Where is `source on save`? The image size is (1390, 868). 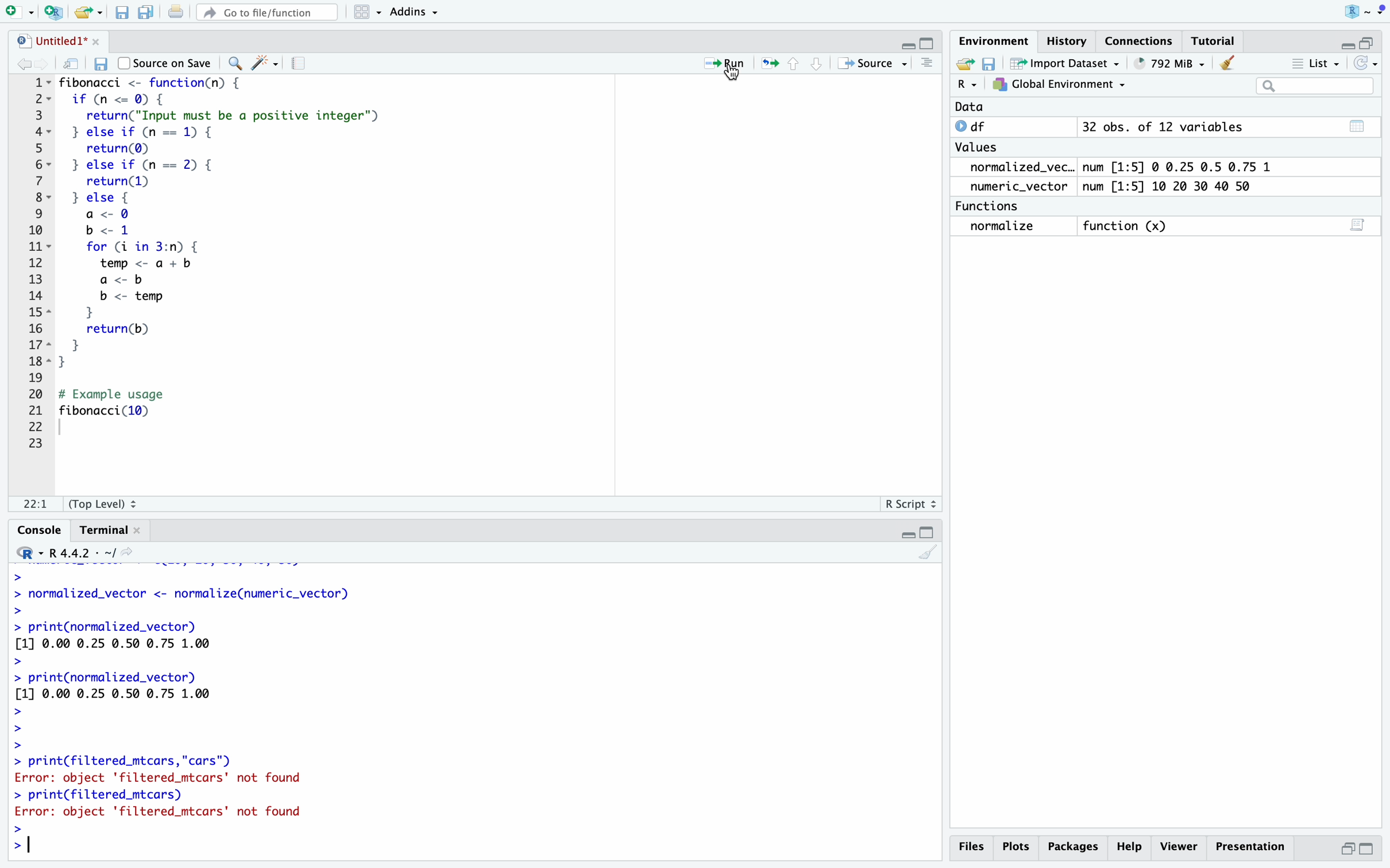 source on save is located at coordinates (164, 63).